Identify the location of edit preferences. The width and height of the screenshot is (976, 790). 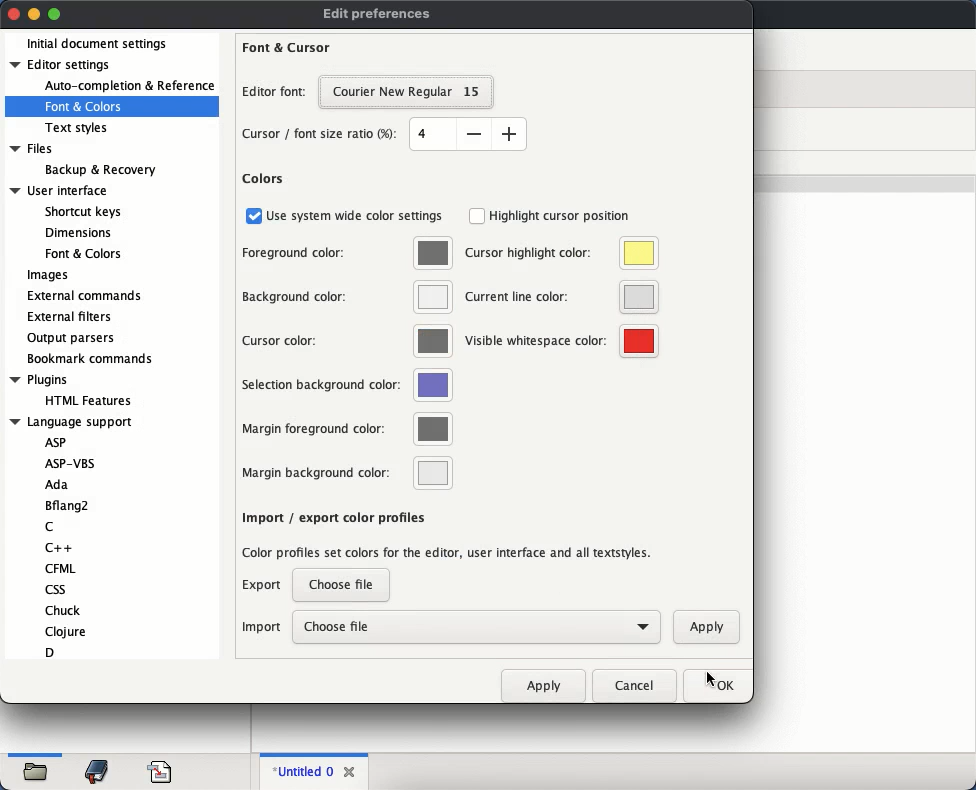
(377, 15).